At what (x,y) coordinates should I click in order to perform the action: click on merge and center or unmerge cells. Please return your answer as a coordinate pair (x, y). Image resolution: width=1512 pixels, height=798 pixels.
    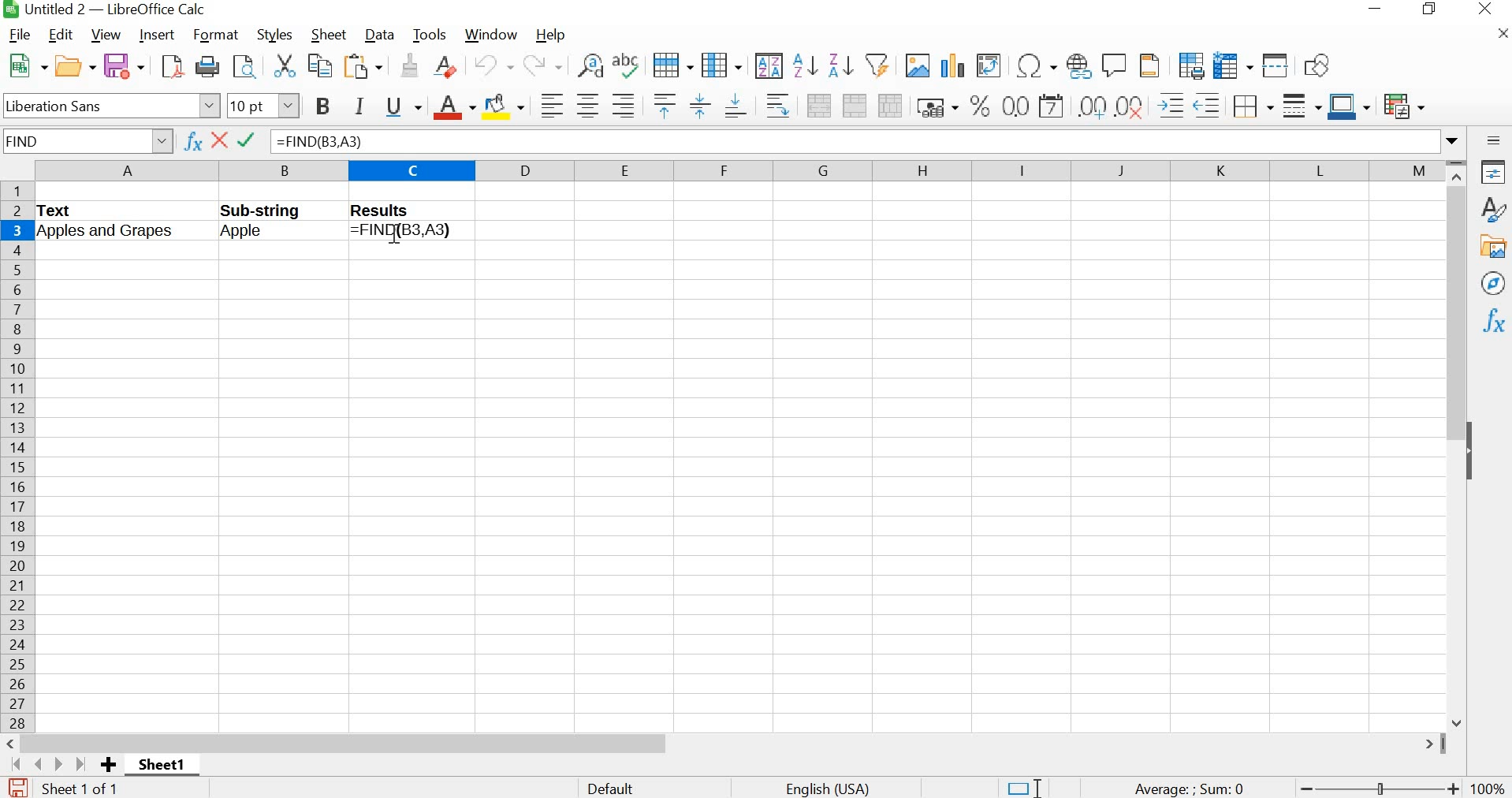
    Looking at the image, I should click on (818, 104).